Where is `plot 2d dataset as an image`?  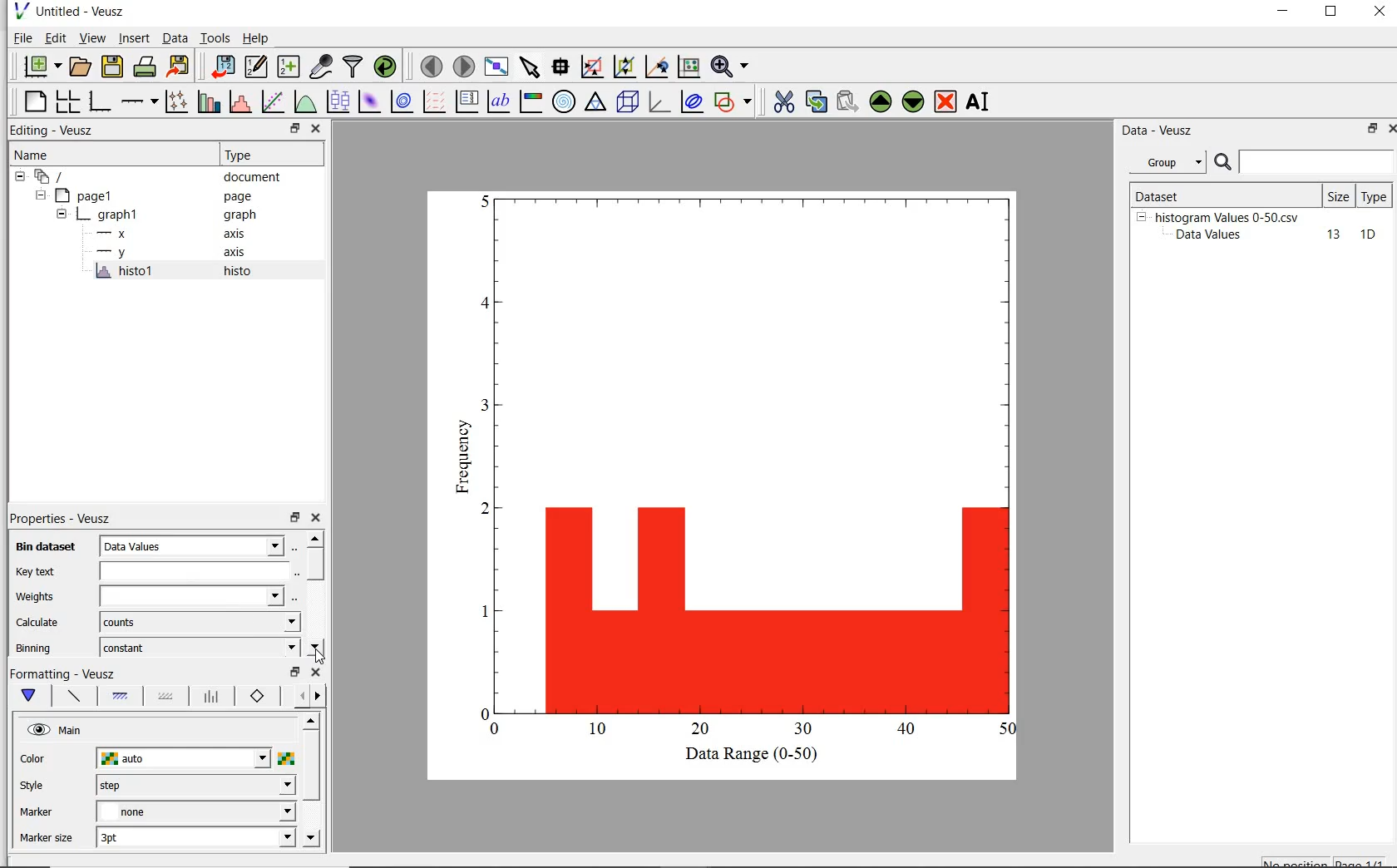 plot 2d dataset as an image is located at coordinates (369, 101).